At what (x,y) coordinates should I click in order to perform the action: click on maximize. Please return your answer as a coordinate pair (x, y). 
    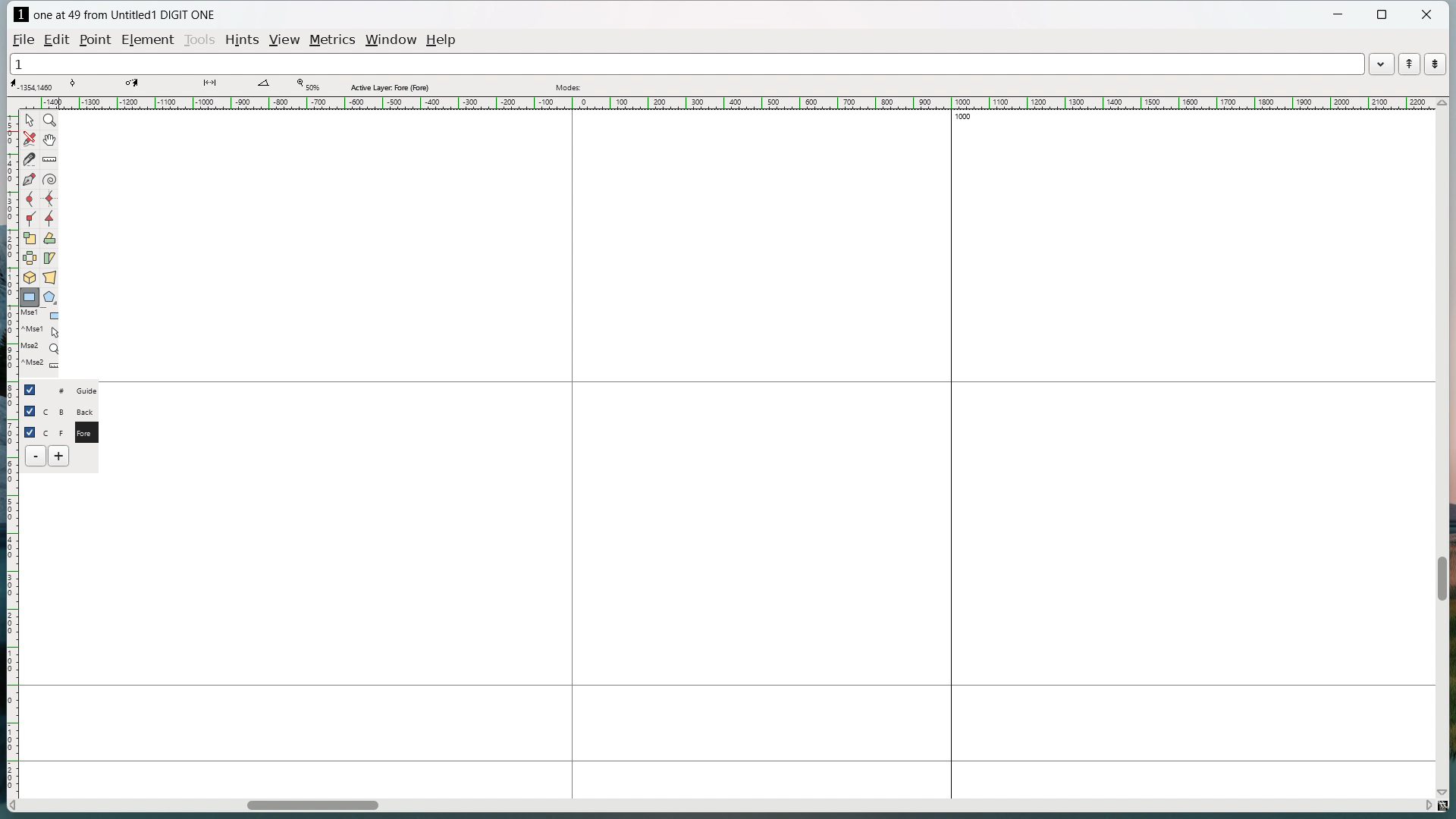
    Looking at the image, I should click on (1383, 15).